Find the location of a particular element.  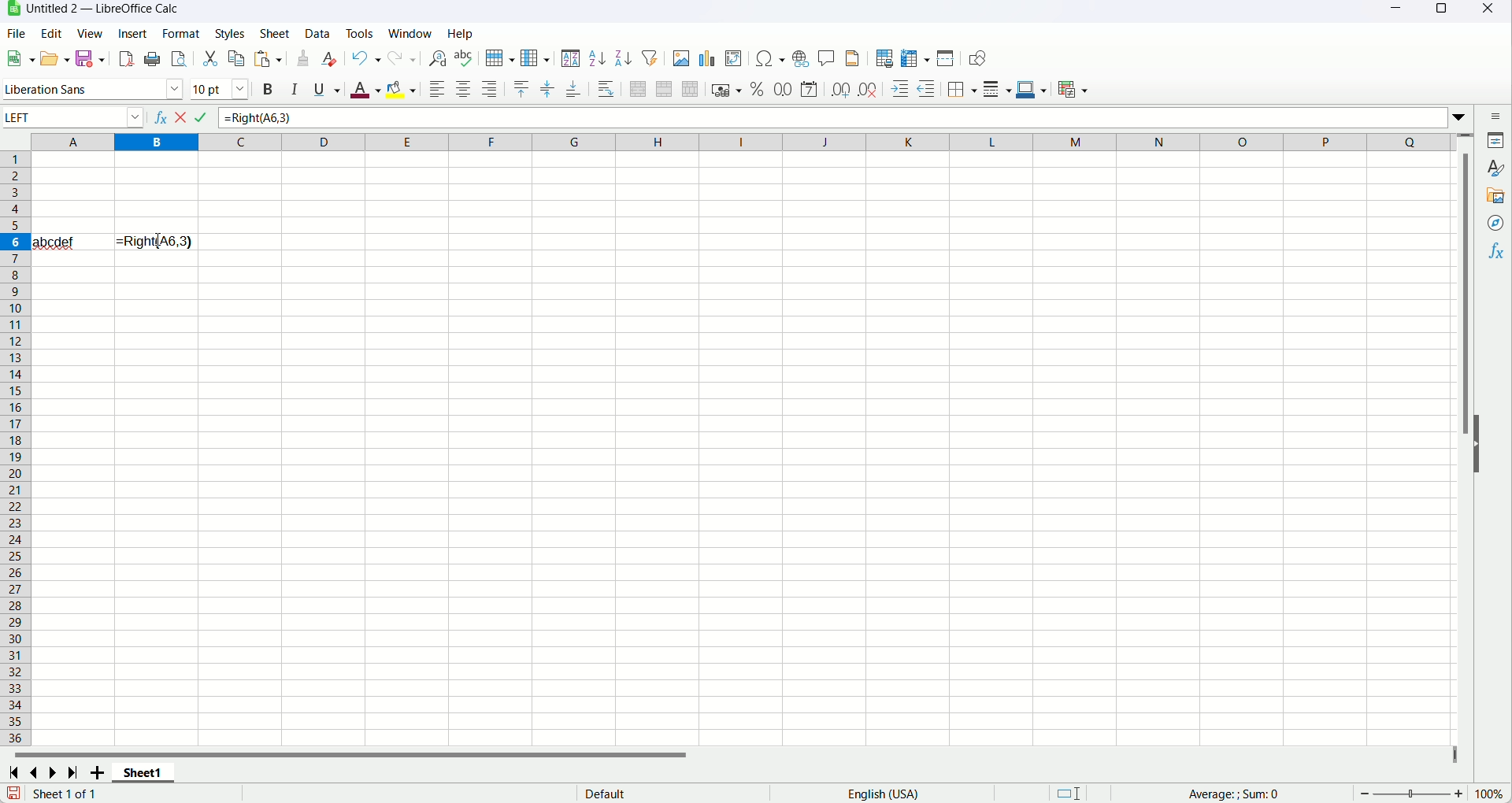

border is located at coordinates (962, 90).